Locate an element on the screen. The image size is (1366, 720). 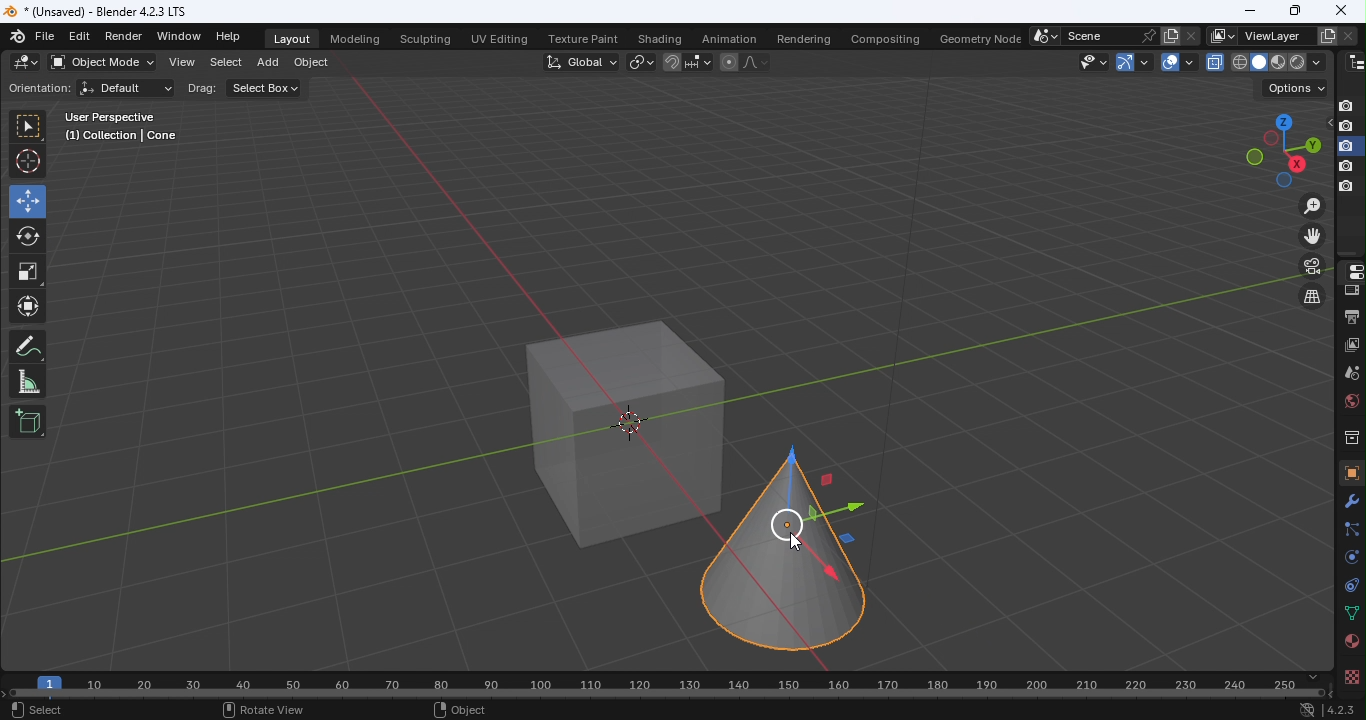
View layer is located at coordinates (1353, 344).